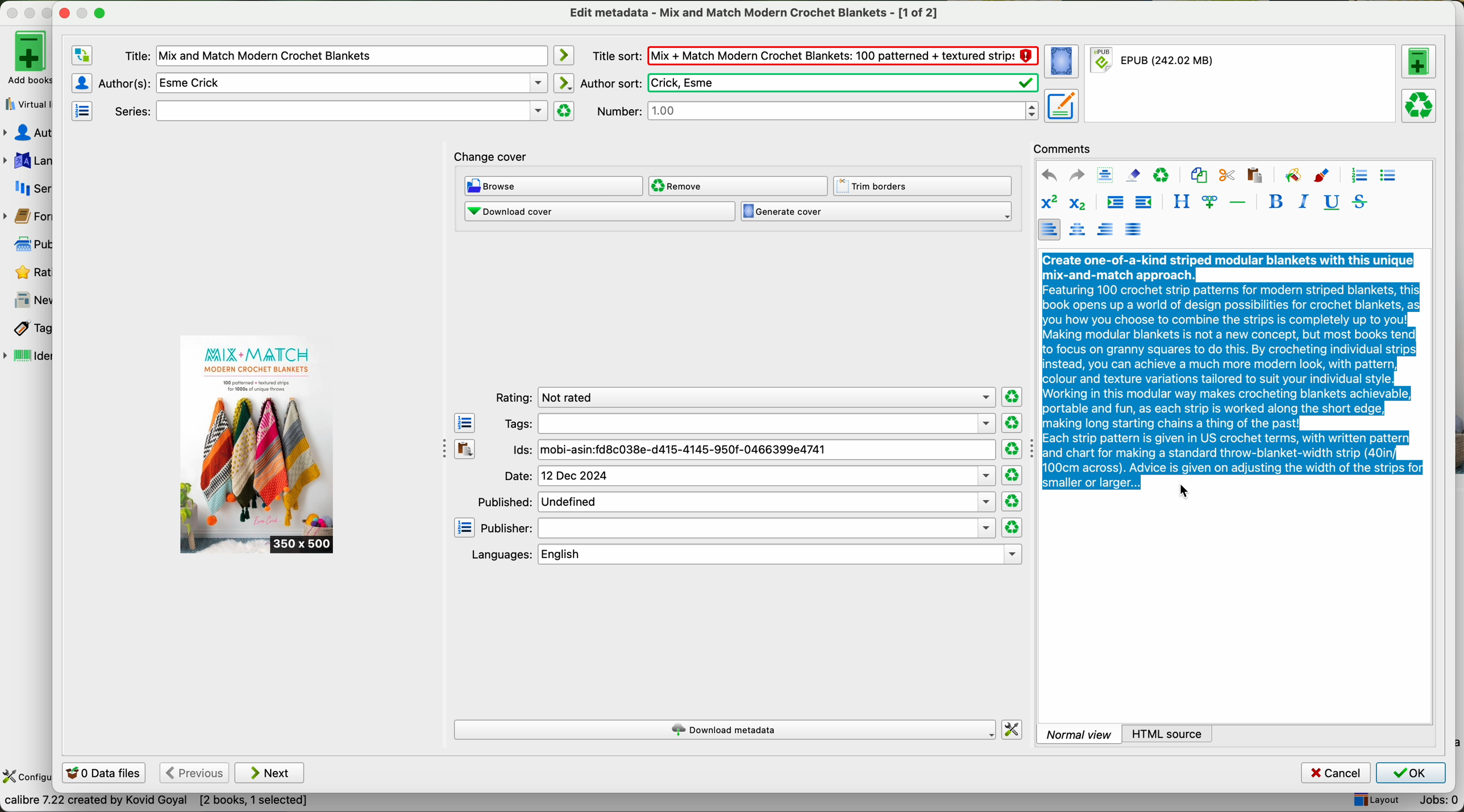  Describe the element at coordinates (1075, 202) in the screenshot. I see `subscript` at that location.